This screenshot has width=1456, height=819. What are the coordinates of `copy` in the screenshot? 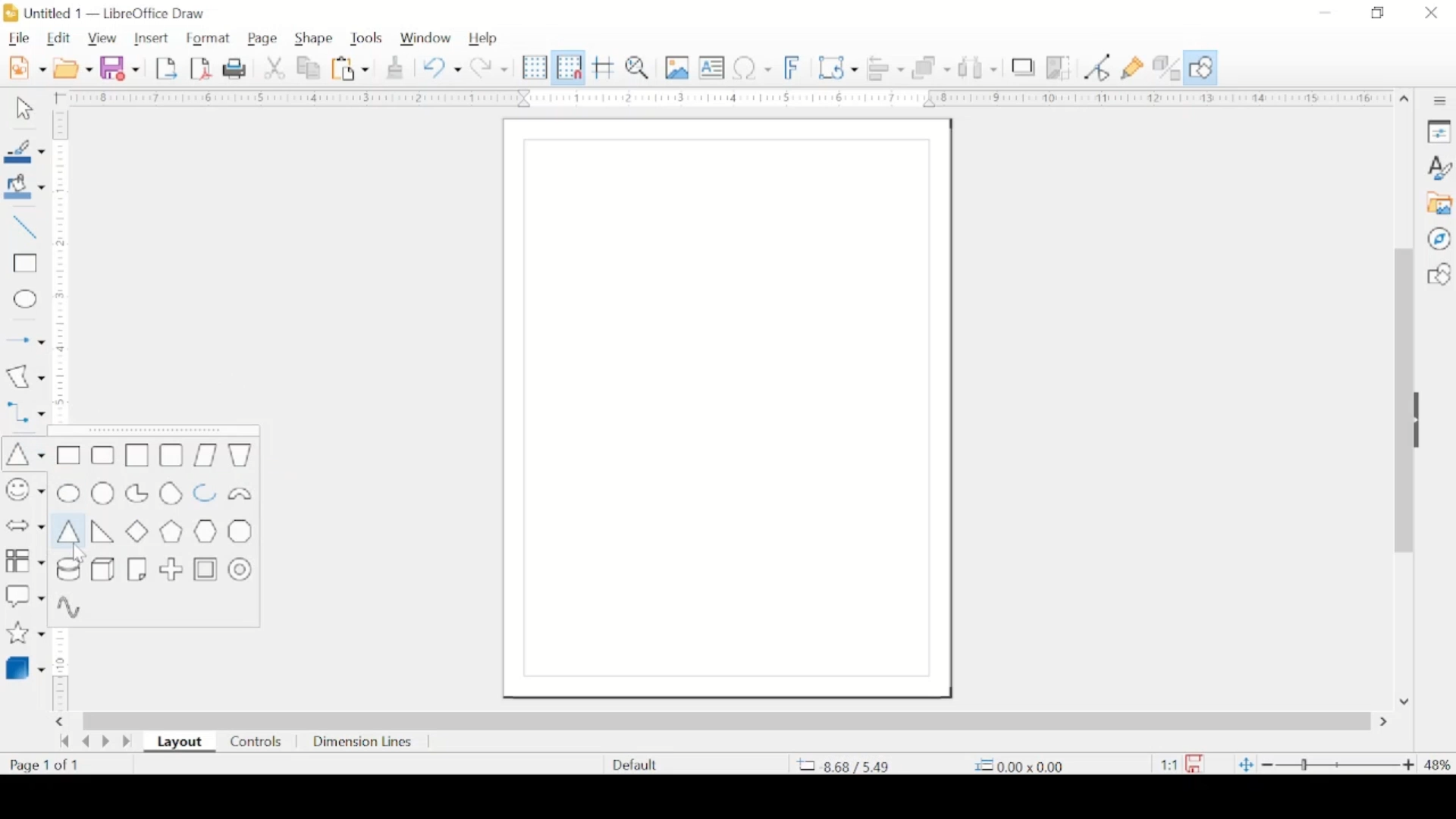 It's located at (310, 69).